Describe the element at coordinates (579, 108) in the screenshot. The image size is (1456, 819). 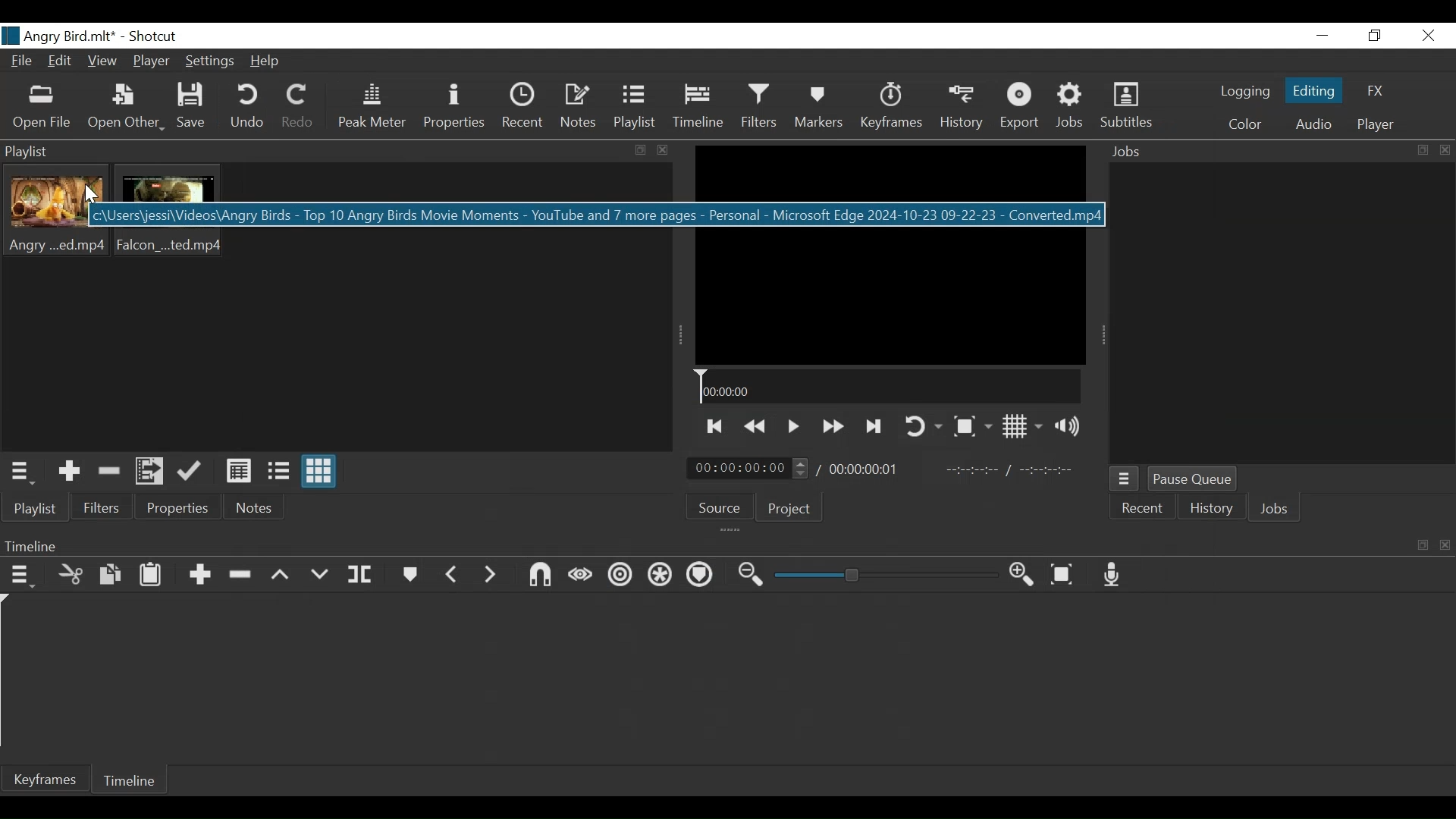
I see `Notes` at that location.